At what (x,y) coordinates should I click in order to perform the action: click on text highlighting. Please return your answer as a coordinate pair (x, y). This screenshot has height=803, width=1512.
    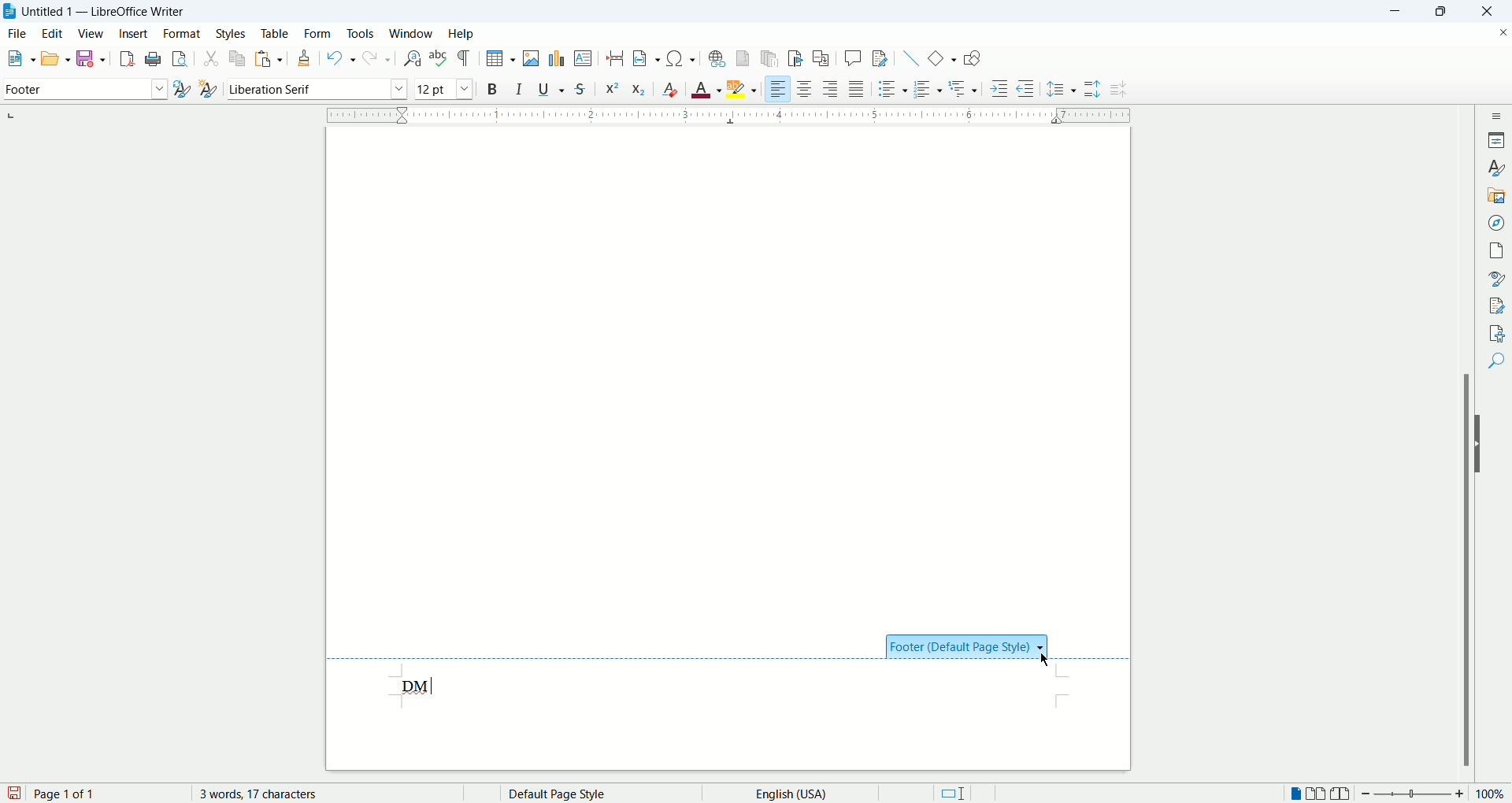
    Looking at the image, I should click on (743, 90).